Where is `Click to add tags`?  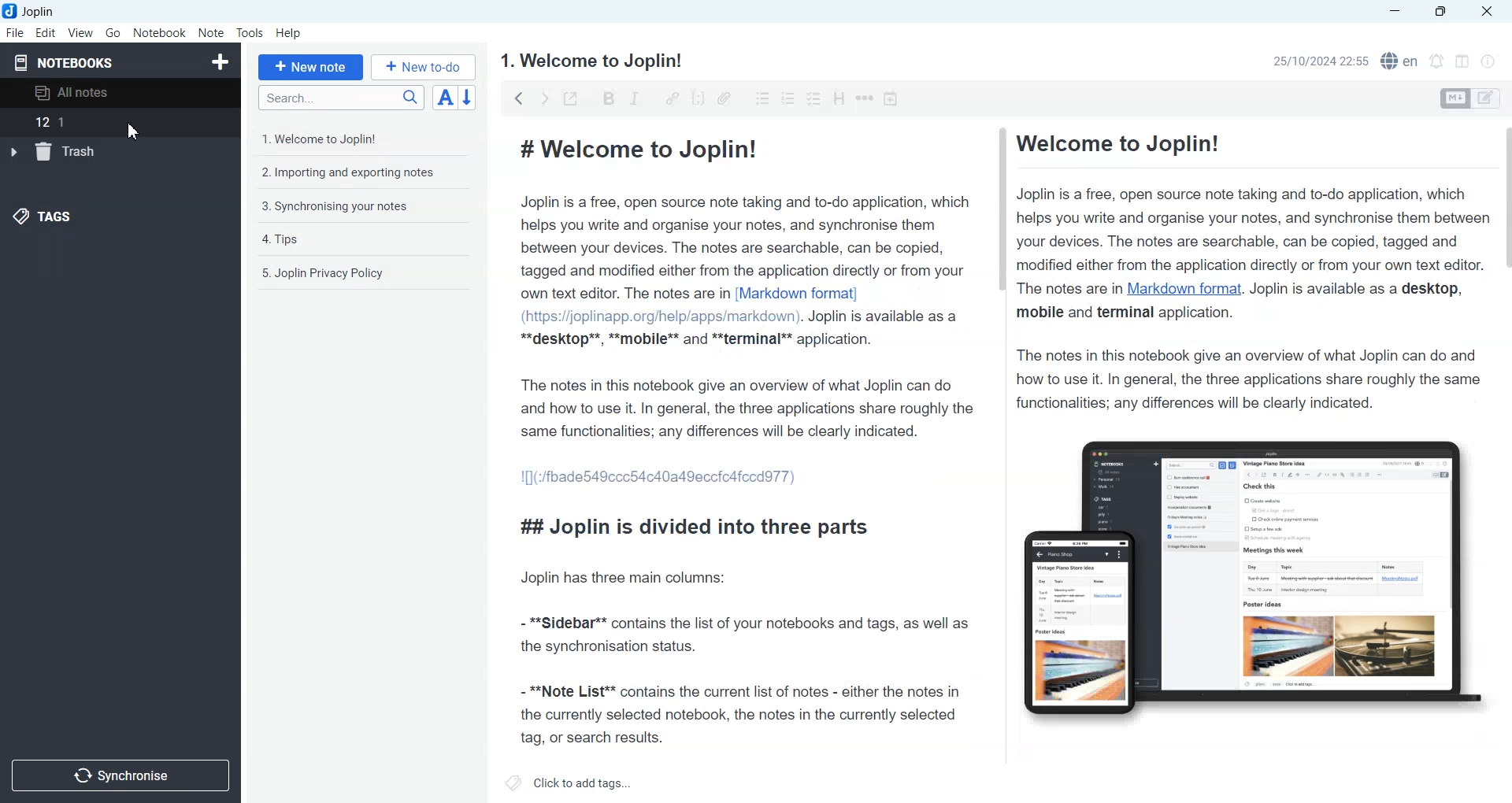 Click to add tags is located at coordinates (569, 783).